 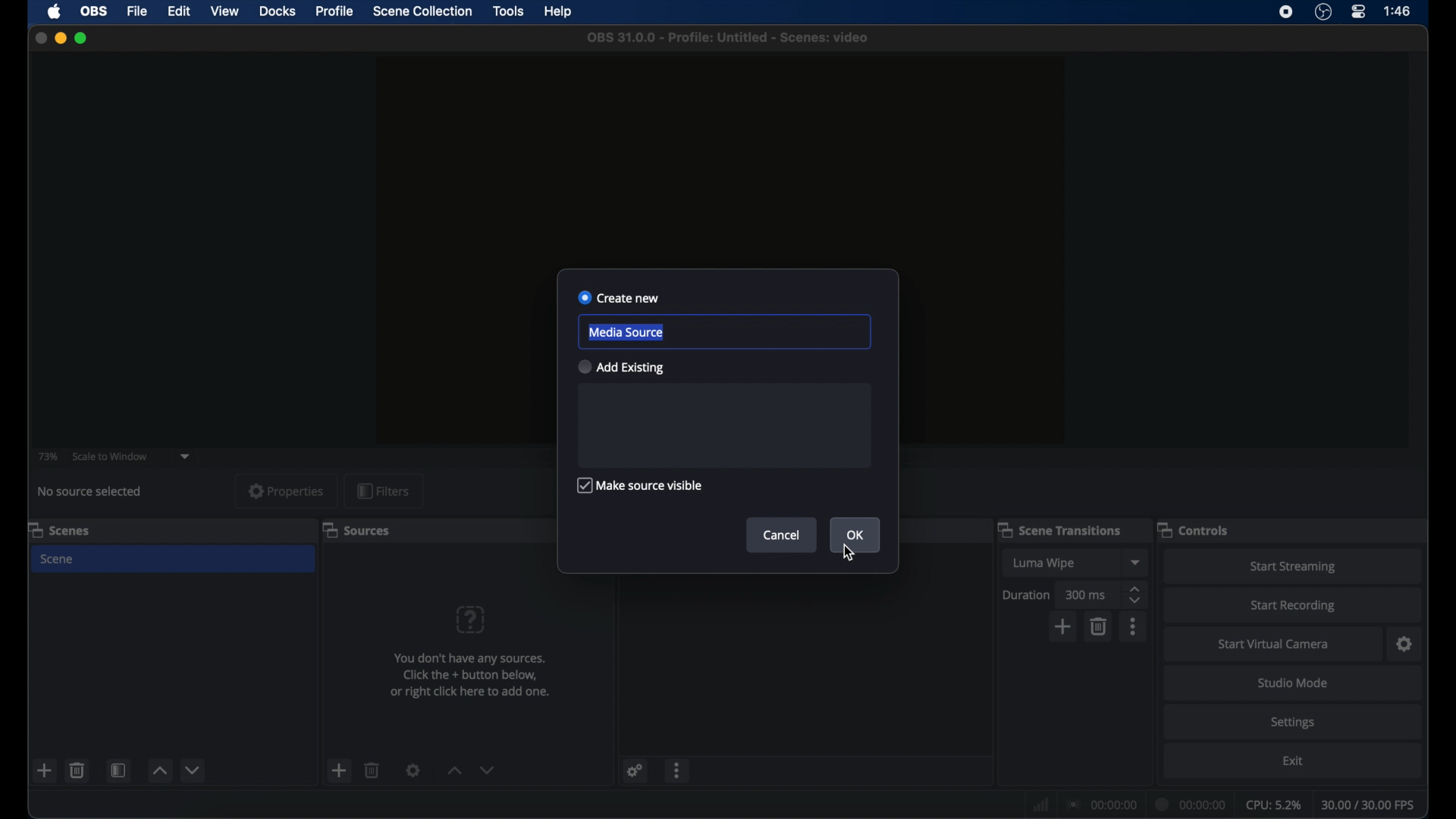 What do you see at coordinates (56, 11) in the screenshot?
I see `apple icon` at bounding box center [56, 11].